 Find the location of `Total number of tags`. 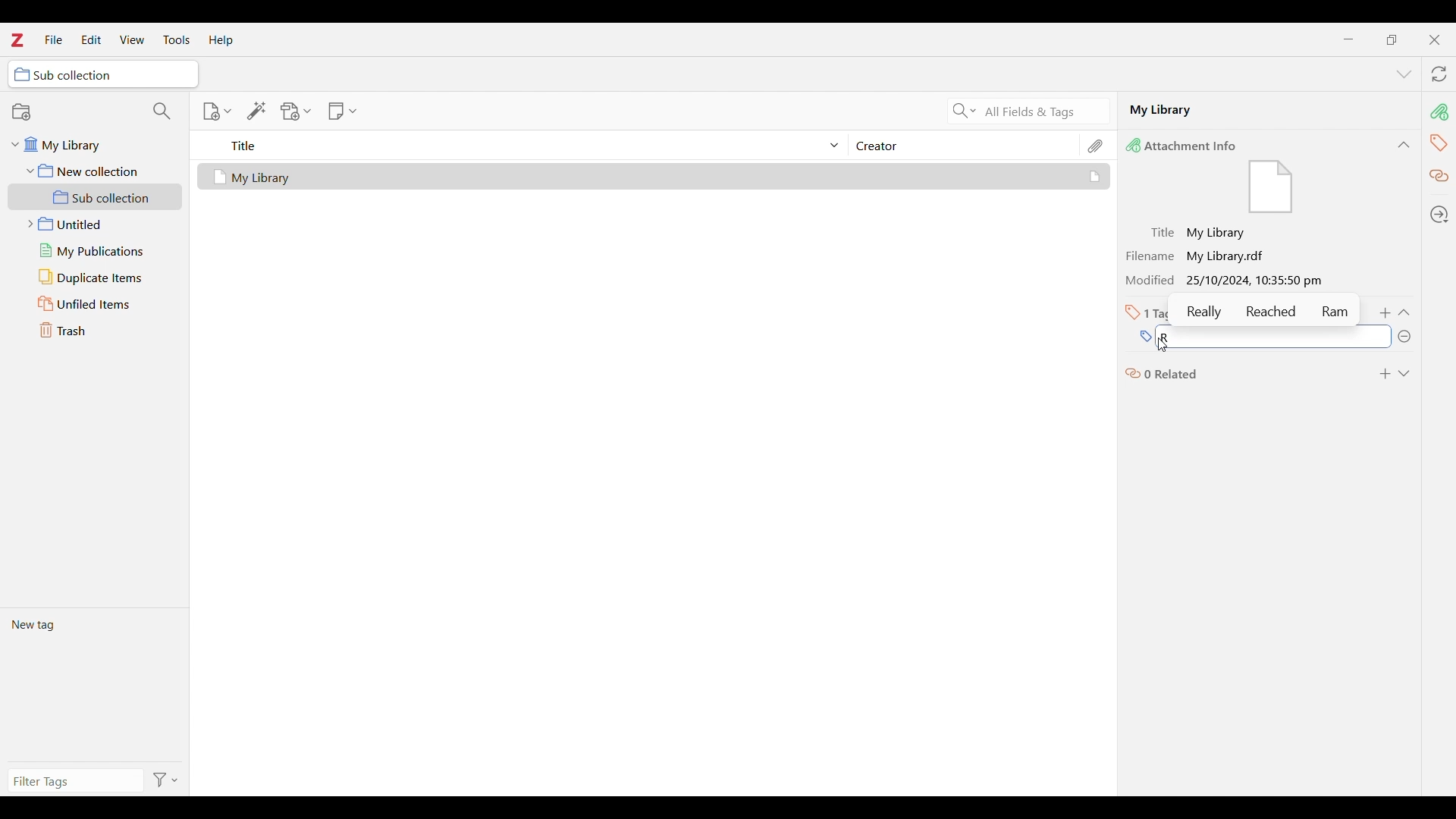

Total number of tags is located at coordinates (1150, 312).